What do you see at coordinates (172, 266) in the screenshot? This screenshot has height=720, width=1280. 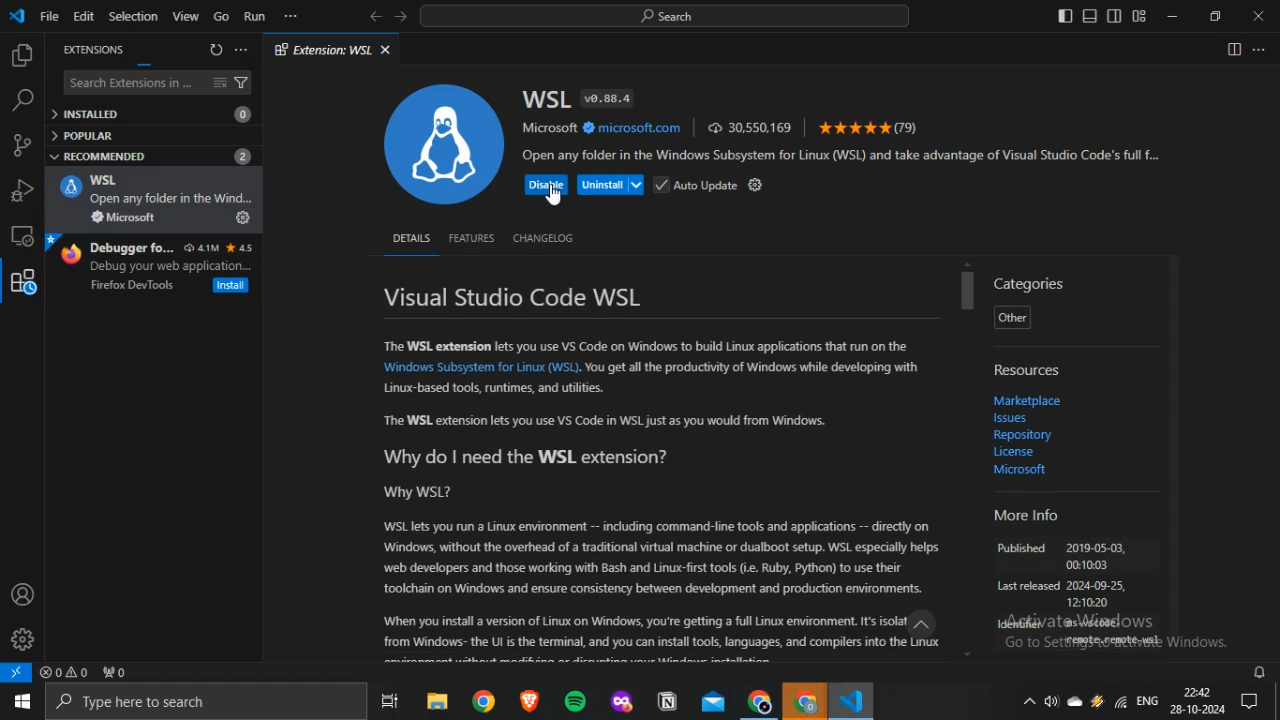 I see `Debug your web application...` at bounding box center [172, 266].